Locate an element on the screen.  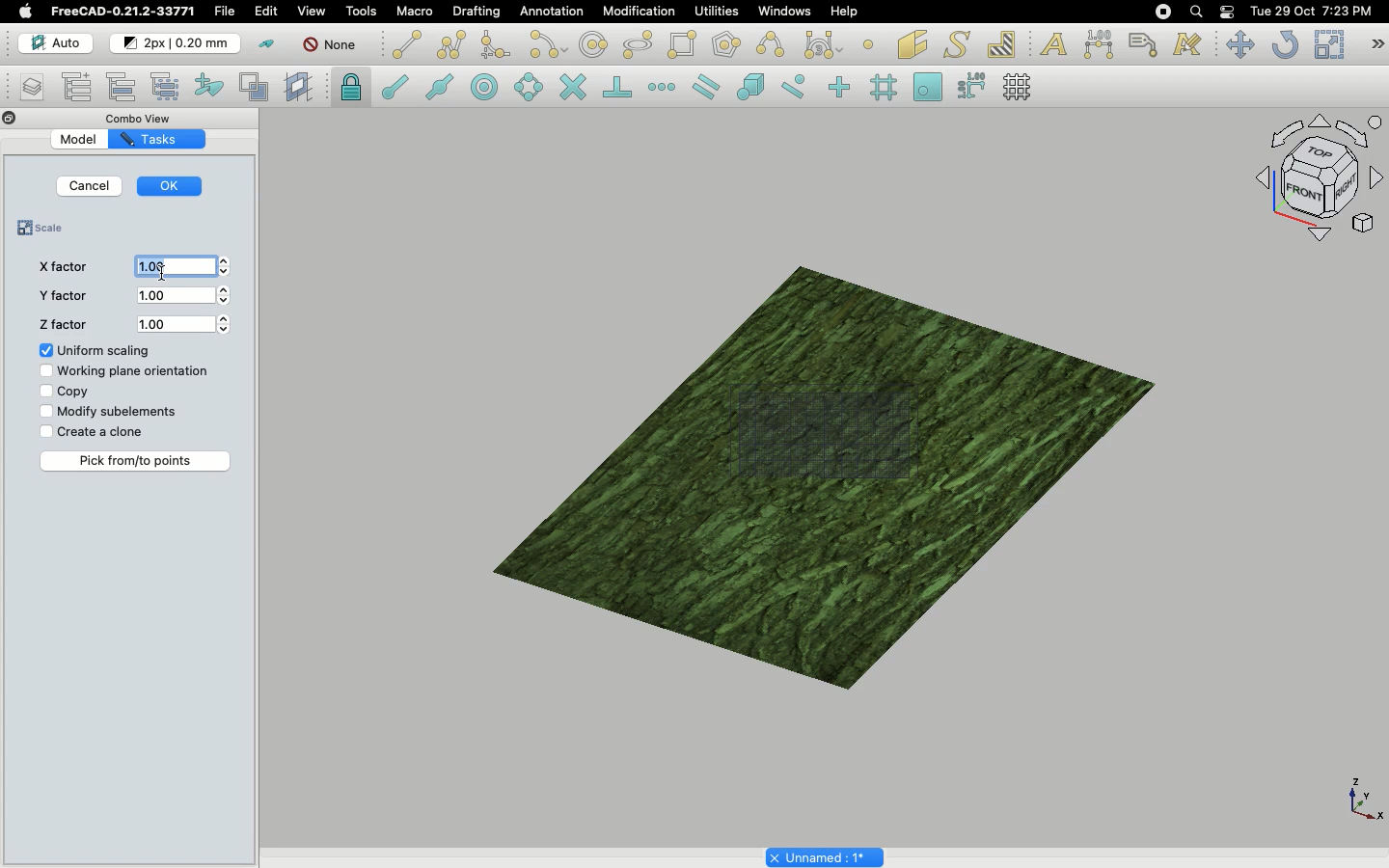
Snap intersection is located at coordinates (572, 85).